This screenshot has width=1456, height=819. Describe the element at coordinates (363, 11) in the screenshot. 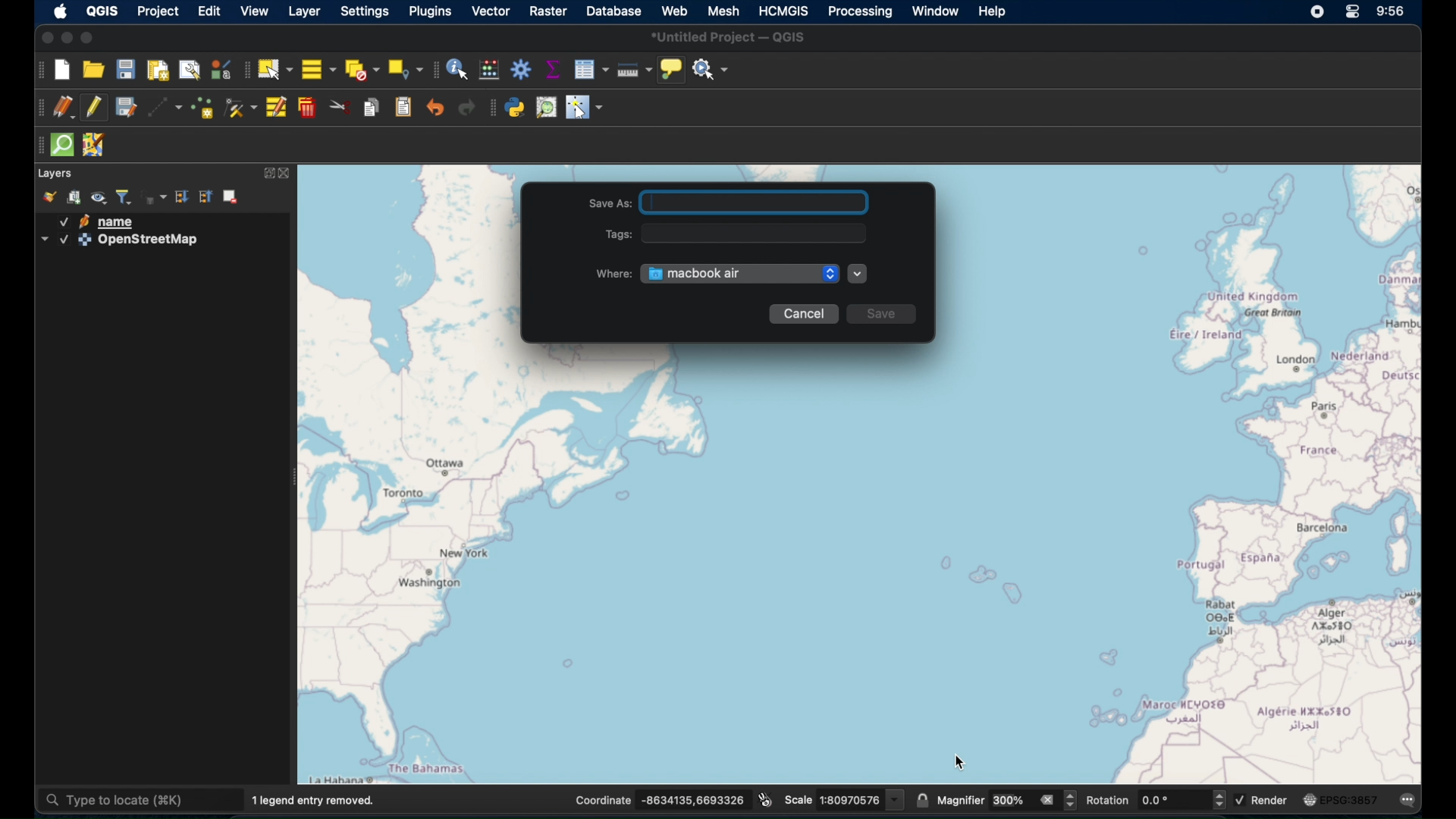

I see `settings` at that location.